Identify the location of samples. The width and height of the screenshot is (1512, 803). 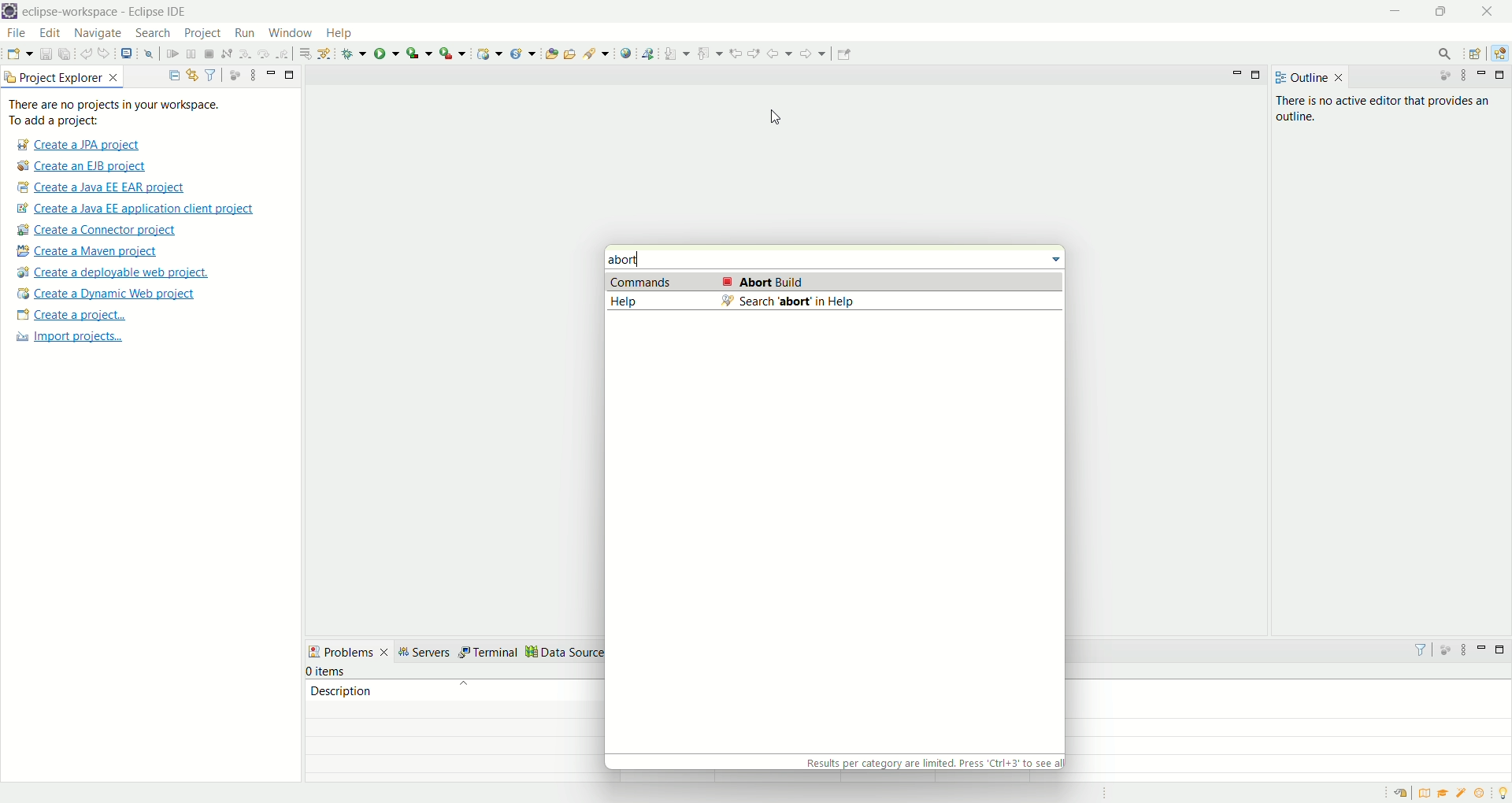
(1466, 794).